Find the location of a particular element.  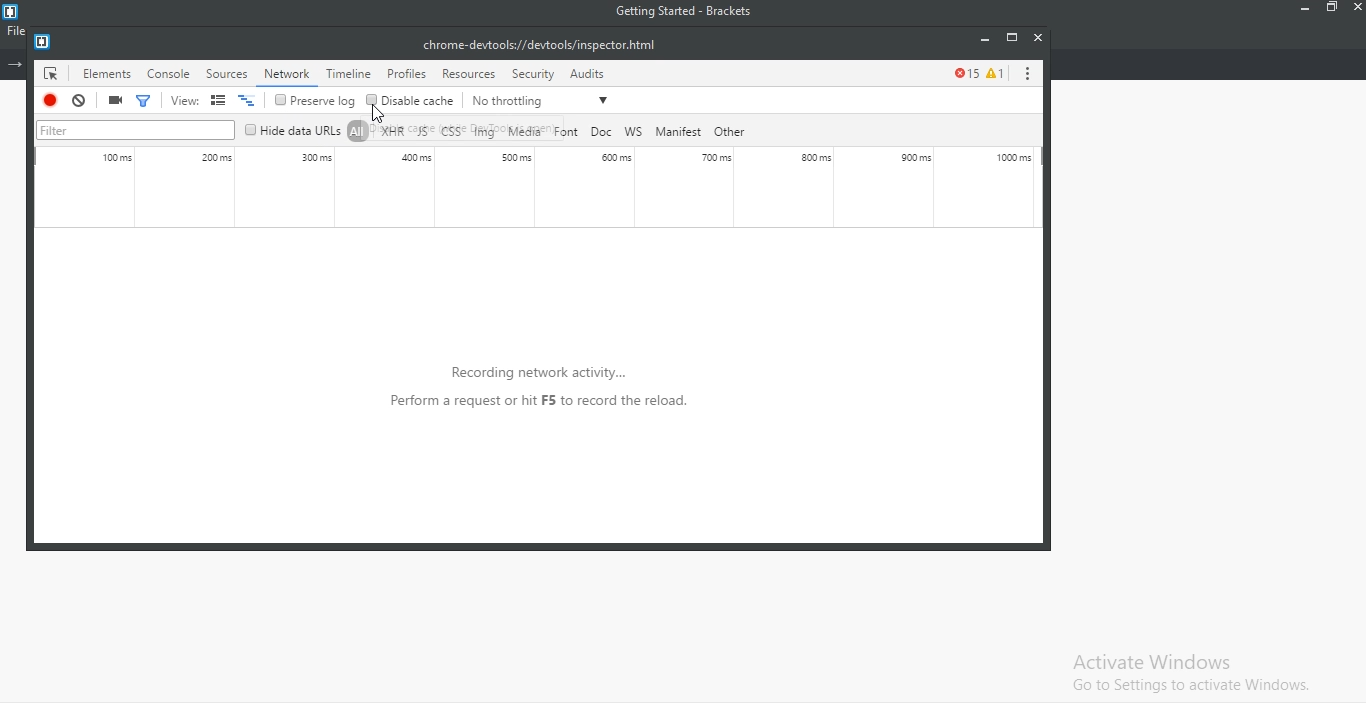

file is located at coordinates (14, 30).